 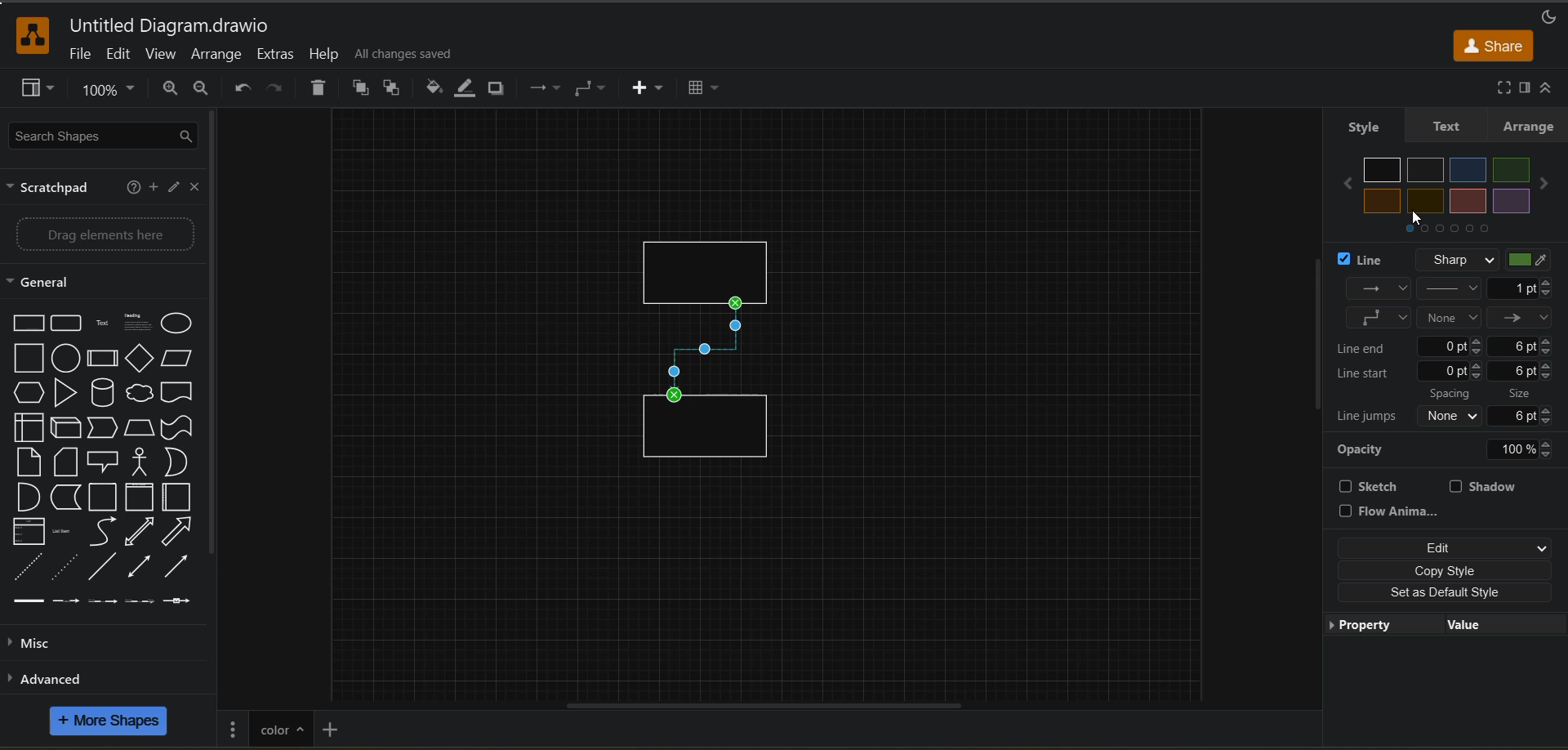 I want to click on Dotted line, so click(x=65, y=567).